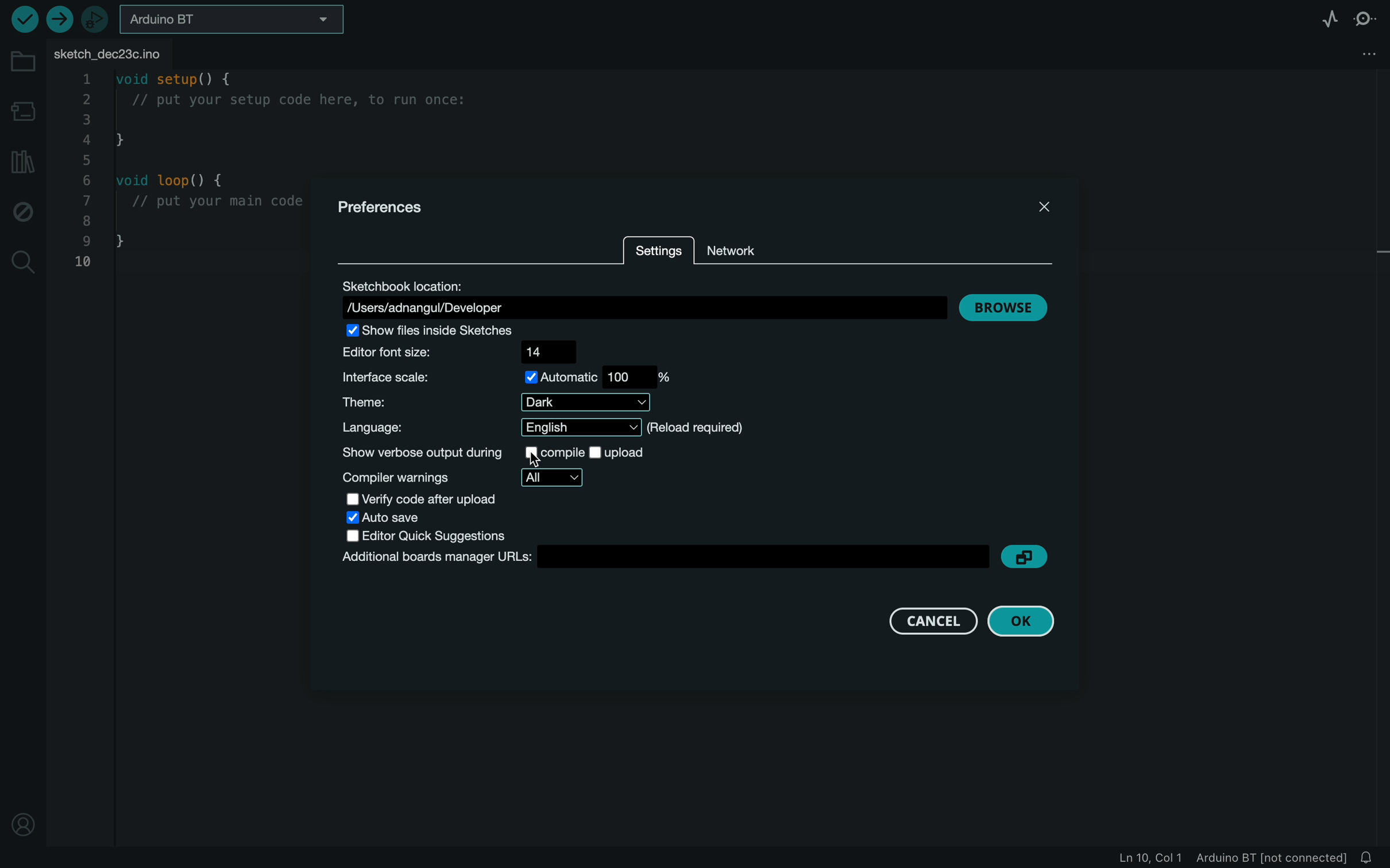 This screenshot has height=868, width=1390. Describe the element at coordinates (1364, 21) in the screenshot. I see `serial monitor` at that location.